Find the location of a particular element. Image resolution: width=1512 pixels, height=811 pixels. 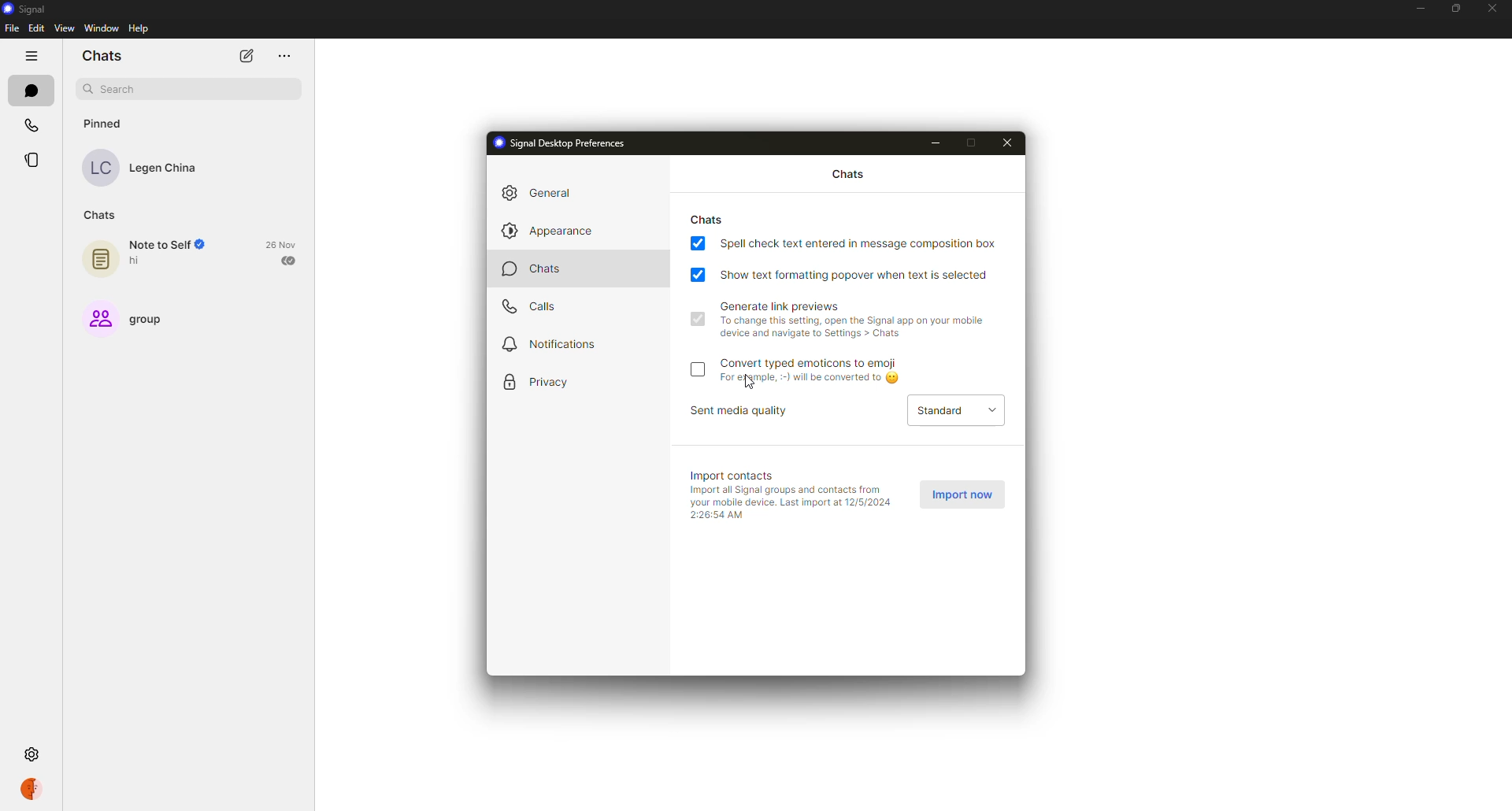

privacy is located at coordinates (540, 383).